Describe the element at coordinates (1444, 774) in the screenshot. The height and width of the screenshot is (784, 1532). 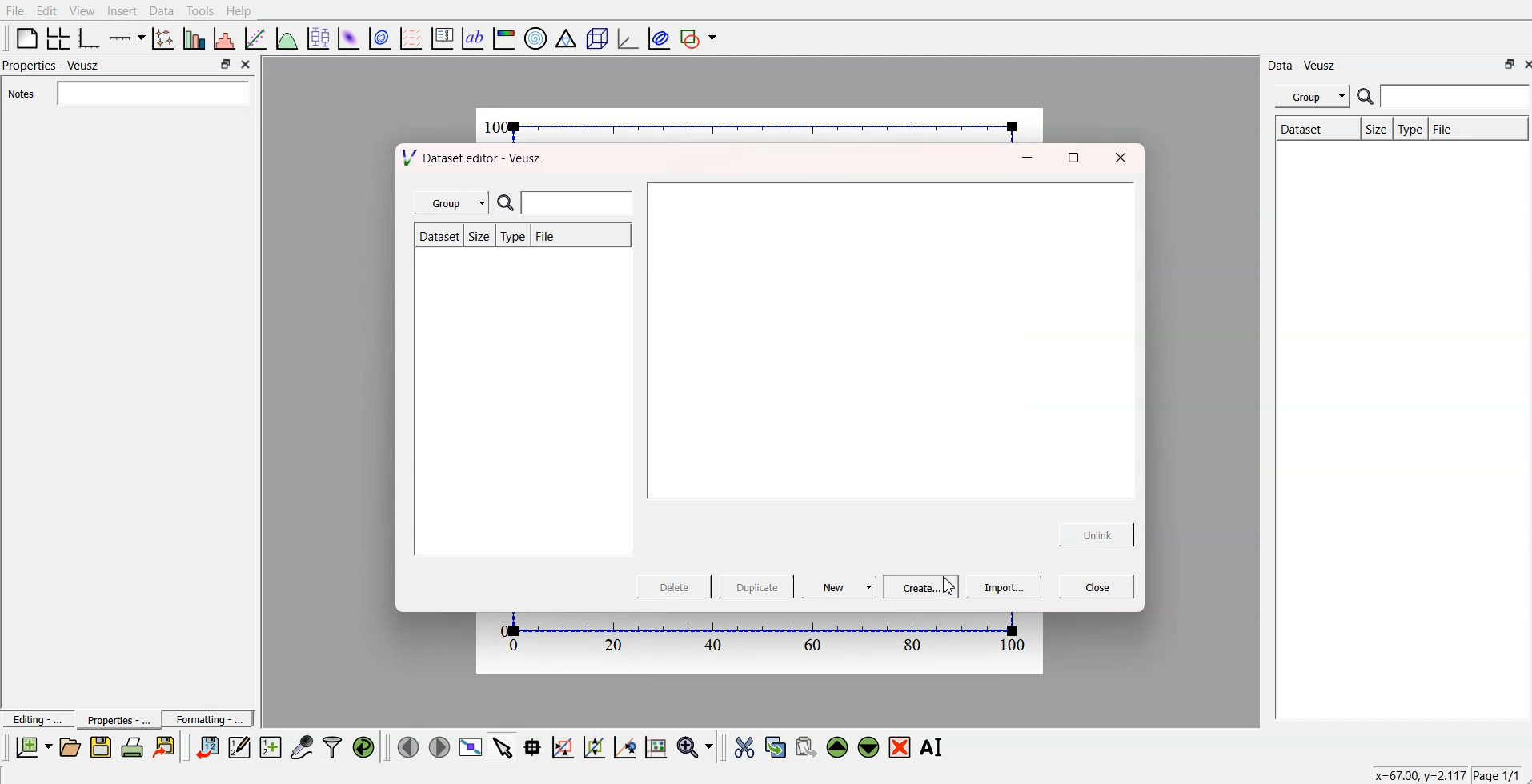
I see `x-67.00 y=2.117 Page 1/1` at that location.